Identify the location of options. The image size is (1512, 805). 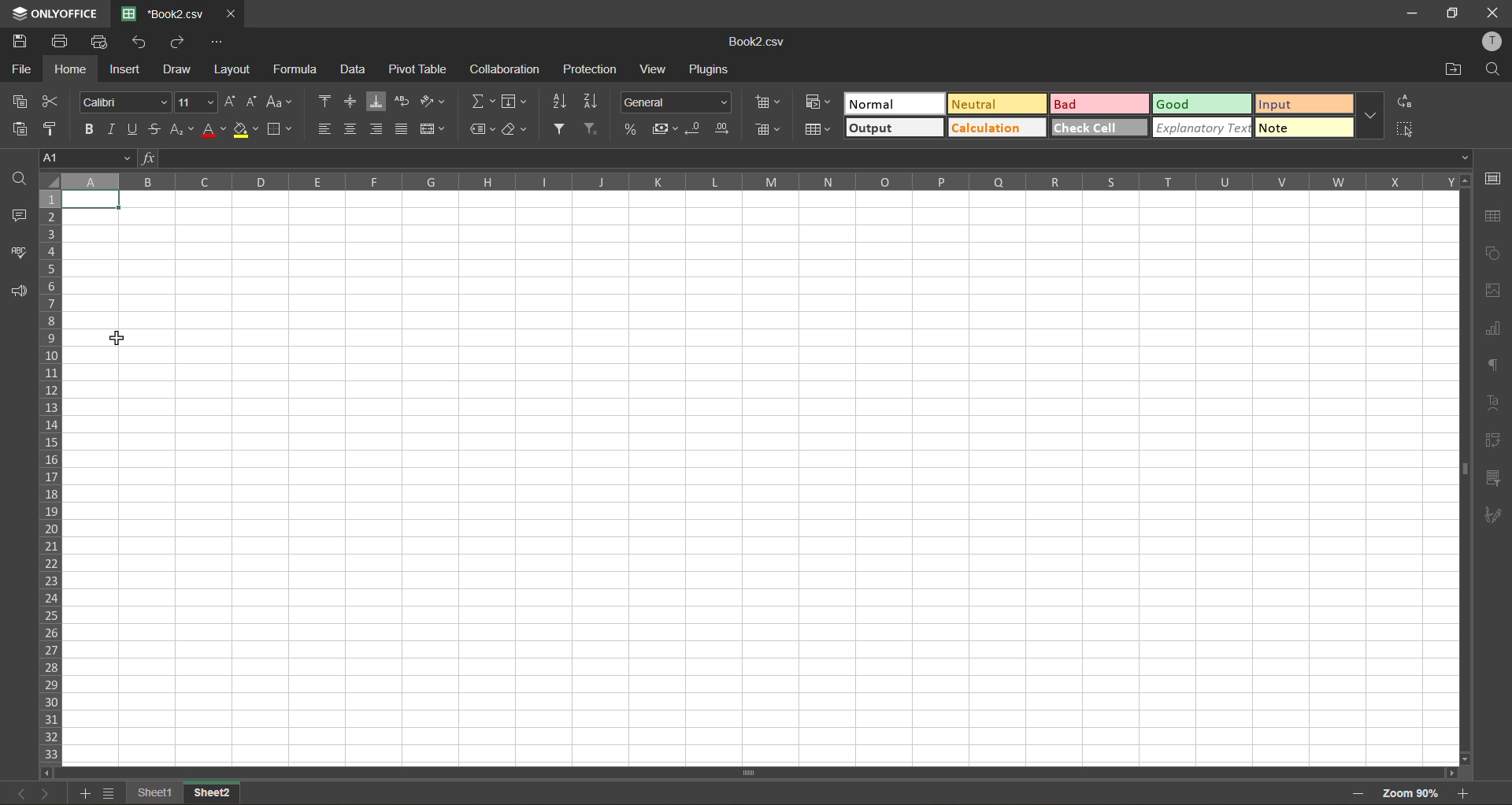
(217, 43).